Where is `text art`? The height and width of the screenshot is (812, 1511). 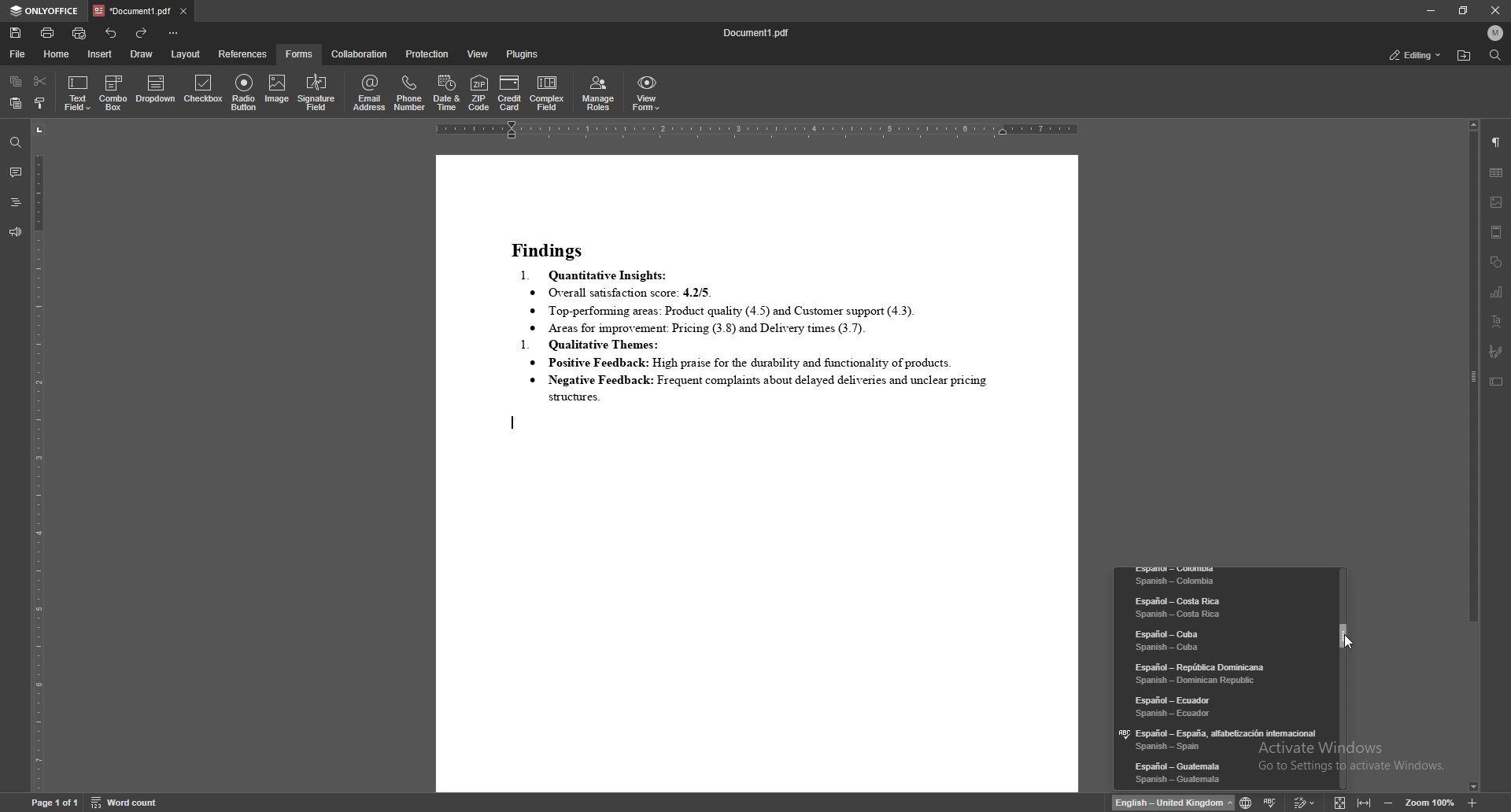
text art is located at coordinates (1497, 321).